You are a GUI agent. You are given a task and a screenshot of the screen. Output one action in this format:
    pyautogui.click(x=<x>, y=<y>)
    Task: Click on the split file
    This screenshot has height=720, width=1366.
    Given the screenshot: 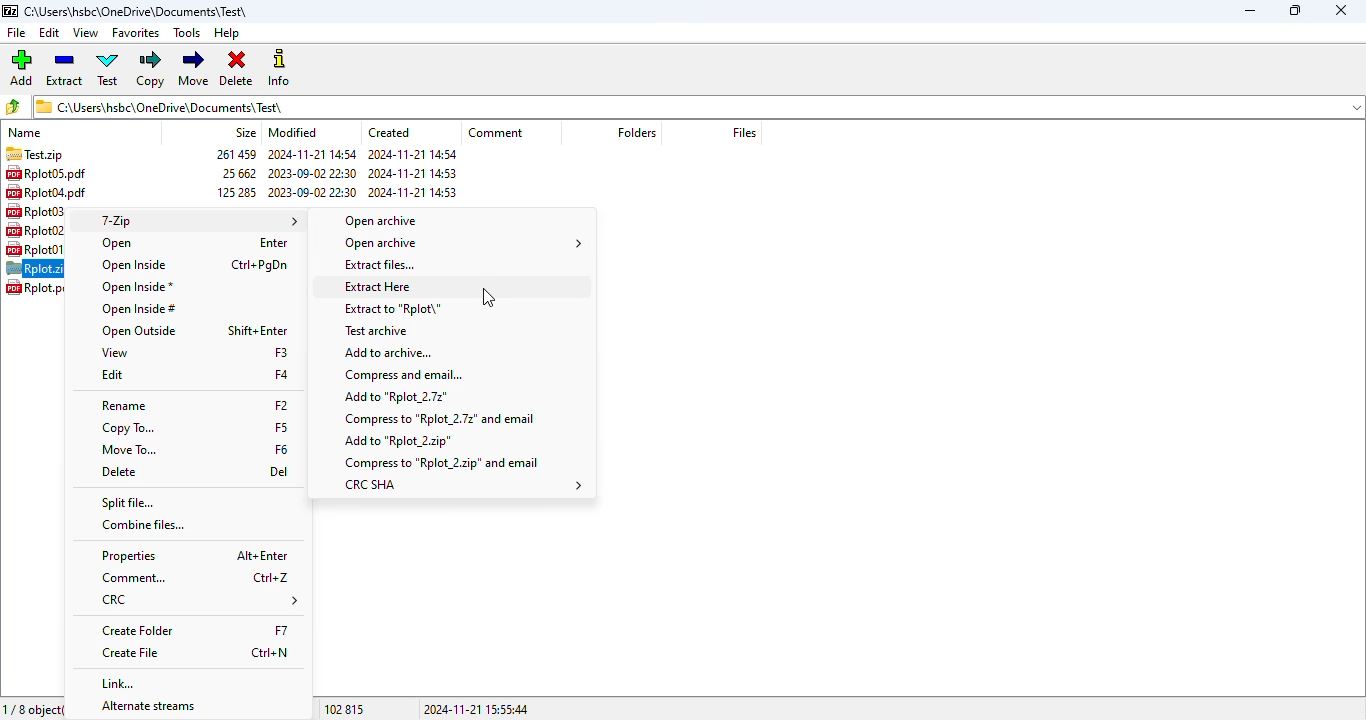 What is the action you would take?
    pyautogui.click(x=129, y=501)
    